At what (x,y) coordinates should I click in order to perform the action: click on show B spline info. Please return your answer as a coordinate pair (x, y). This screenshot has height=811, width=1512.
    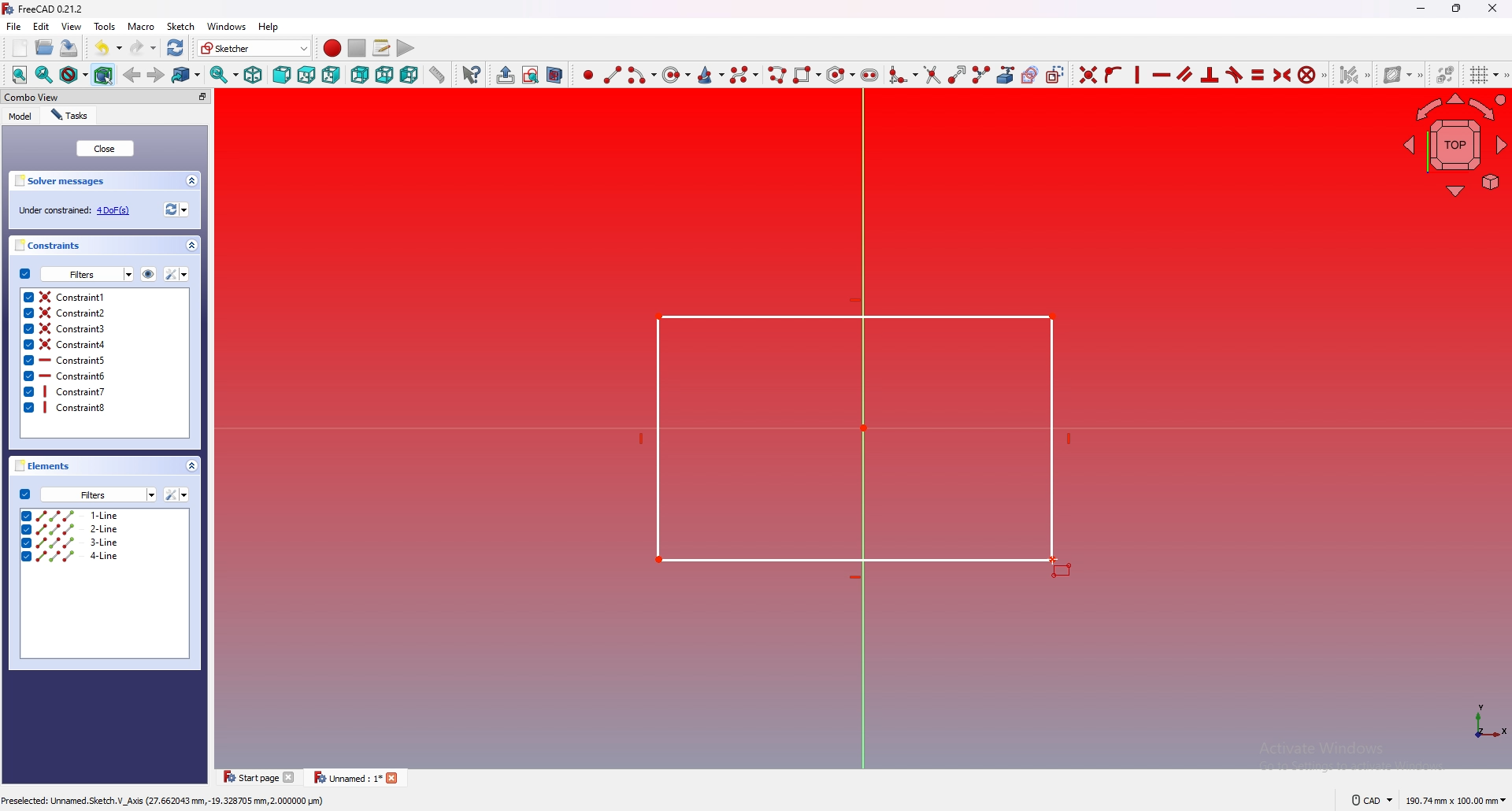
    Looking at the image, I should click on (1399, 75).